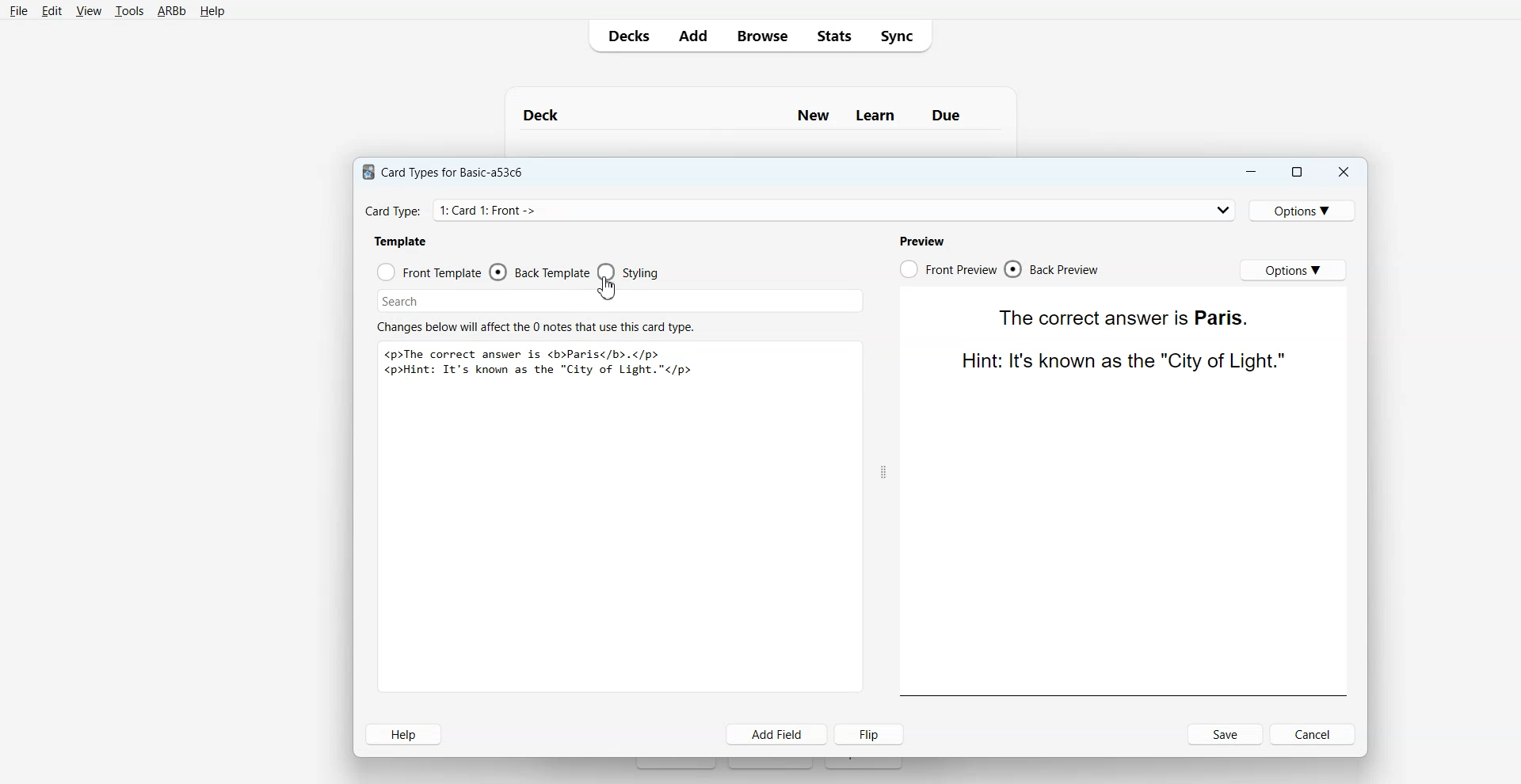 This screenshot has height=784, width=1521. What do you see at coordinates (1118, 334) in the screenshot?
I see `The correct answer is Paris.
Hint: It's known as the "City of Light."` at bounding box center [1118, 334].